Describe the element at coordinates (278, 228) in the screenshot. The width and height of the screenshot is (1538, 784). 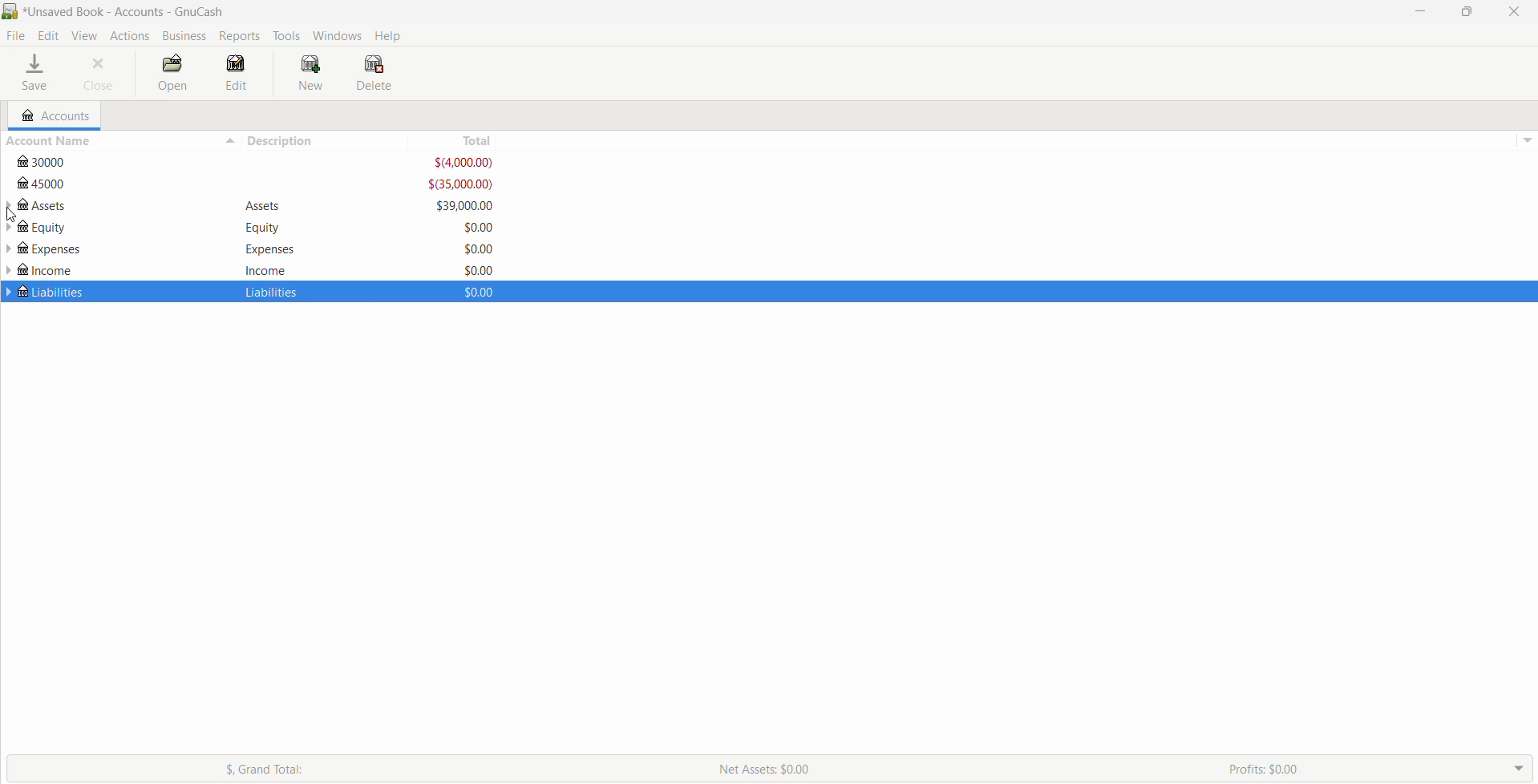
I see `Equity` at that location.